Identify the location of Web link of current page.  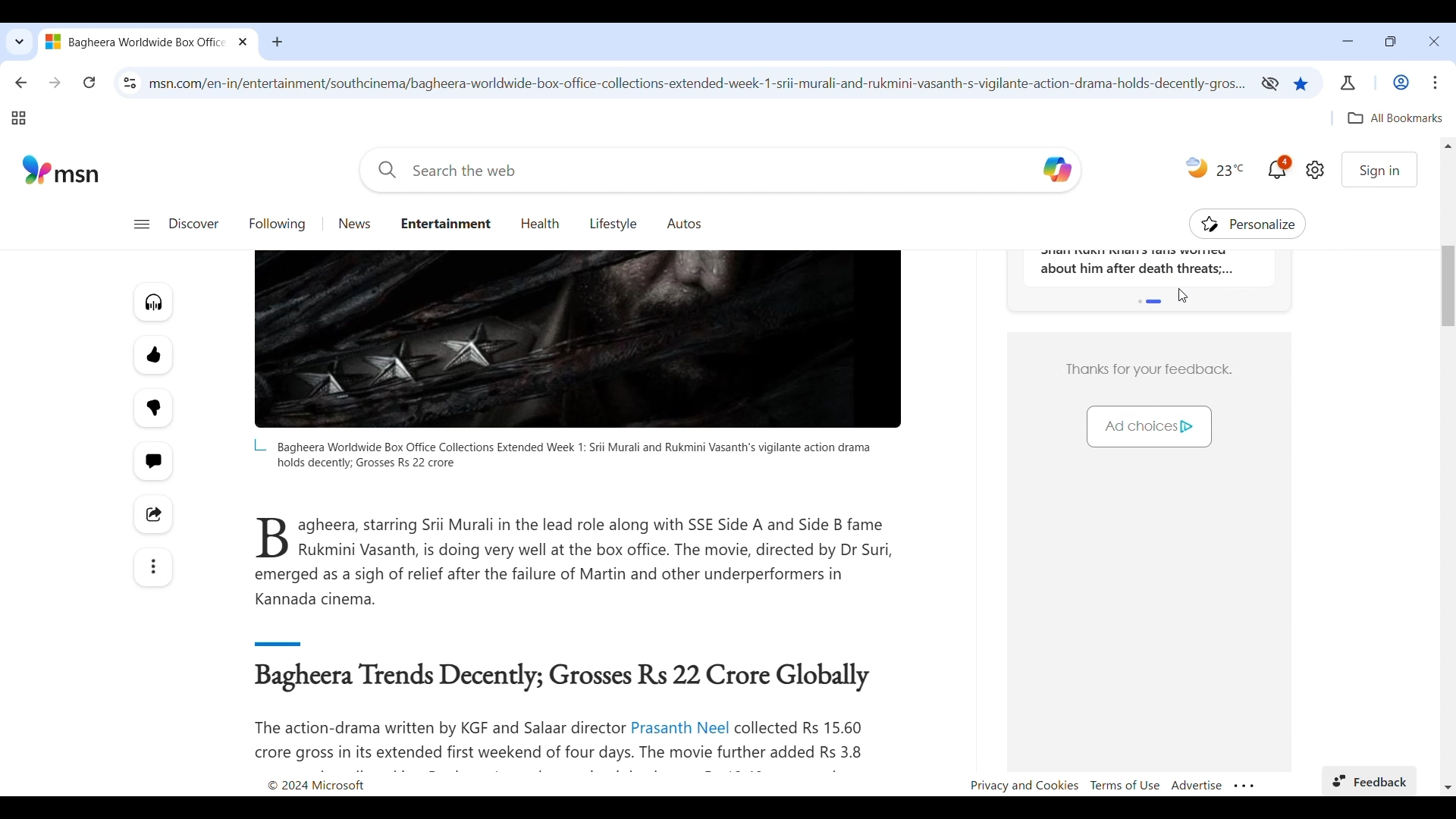
(699, 83).